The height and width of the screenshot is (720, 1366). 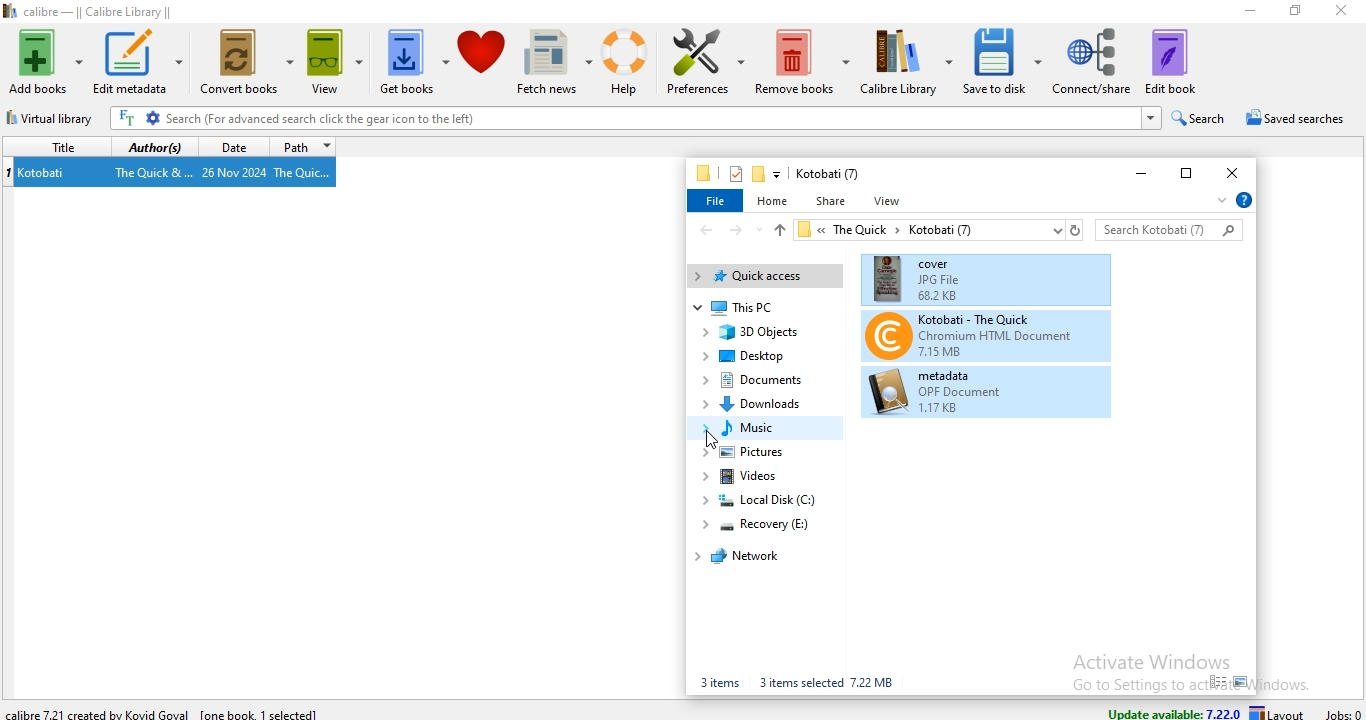 What do you see at coordinates (753, 477) in the screenshot?
I see `videos` at bounding box center [753, 477].